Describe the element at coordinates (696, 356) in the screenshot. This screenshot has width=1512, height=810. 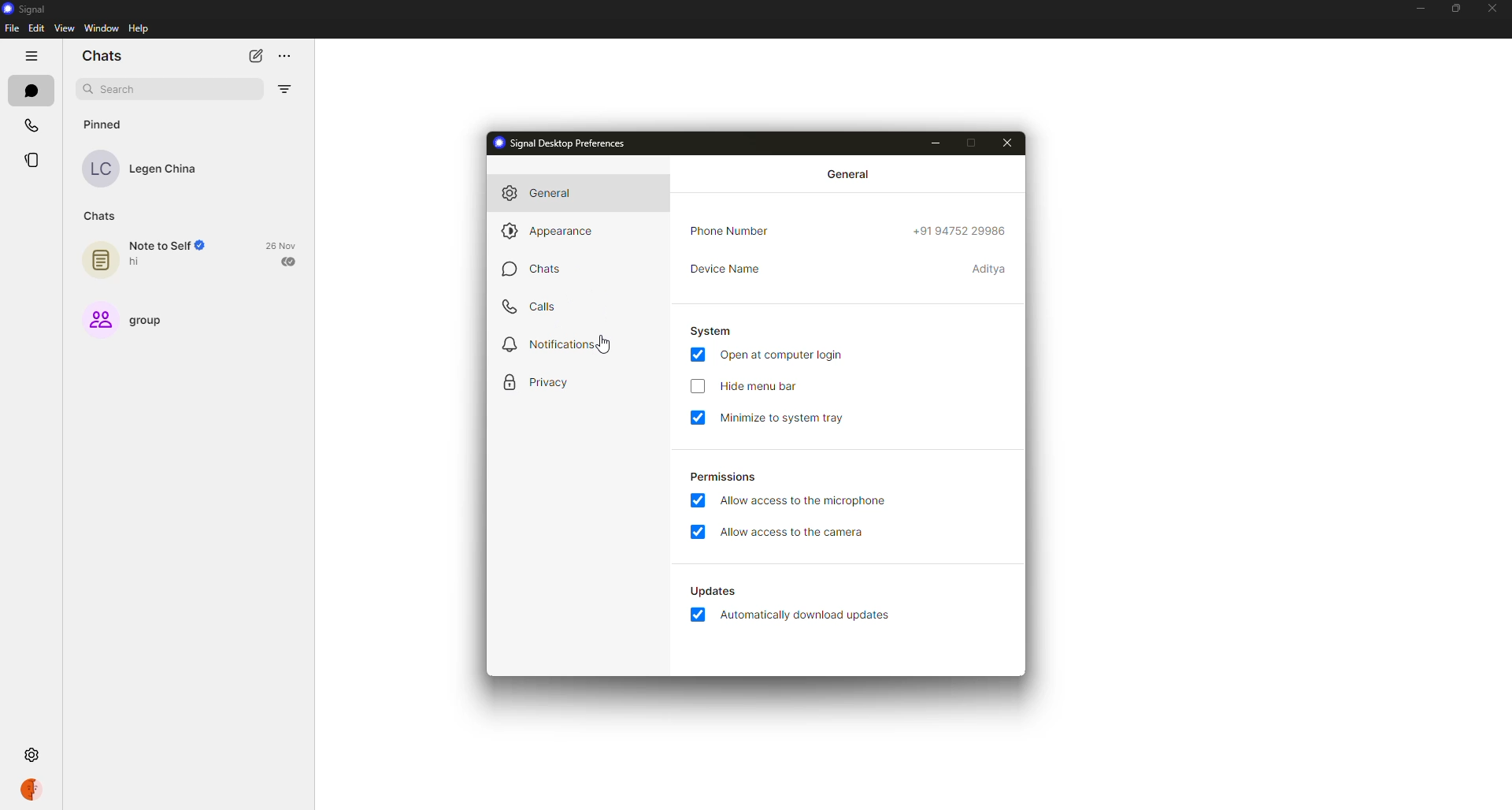
I see `enabled` at that location.